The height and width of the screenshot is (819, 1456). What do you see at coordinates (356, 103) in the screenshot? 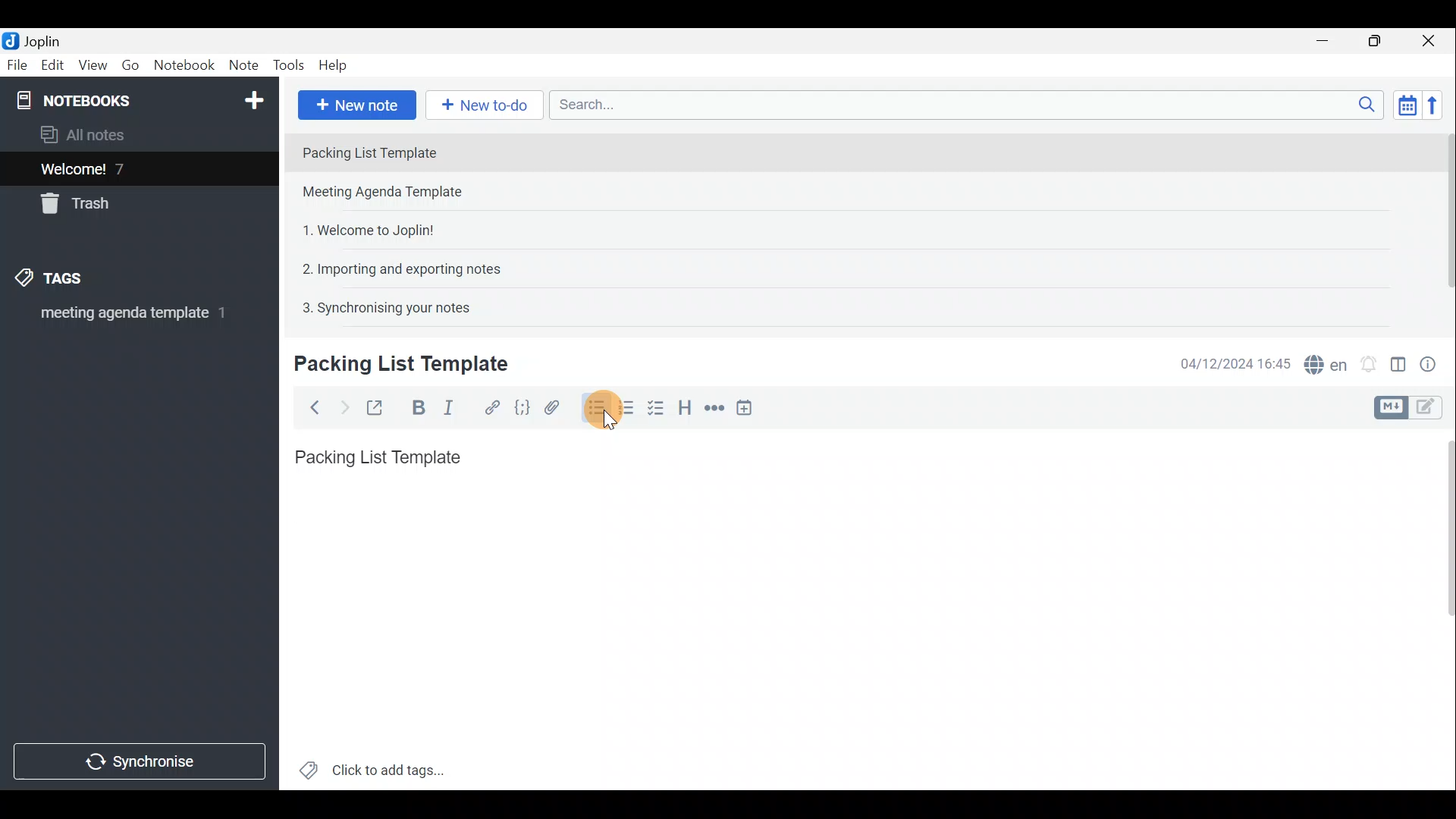
I see `New note` at bounding box center [356, 103].